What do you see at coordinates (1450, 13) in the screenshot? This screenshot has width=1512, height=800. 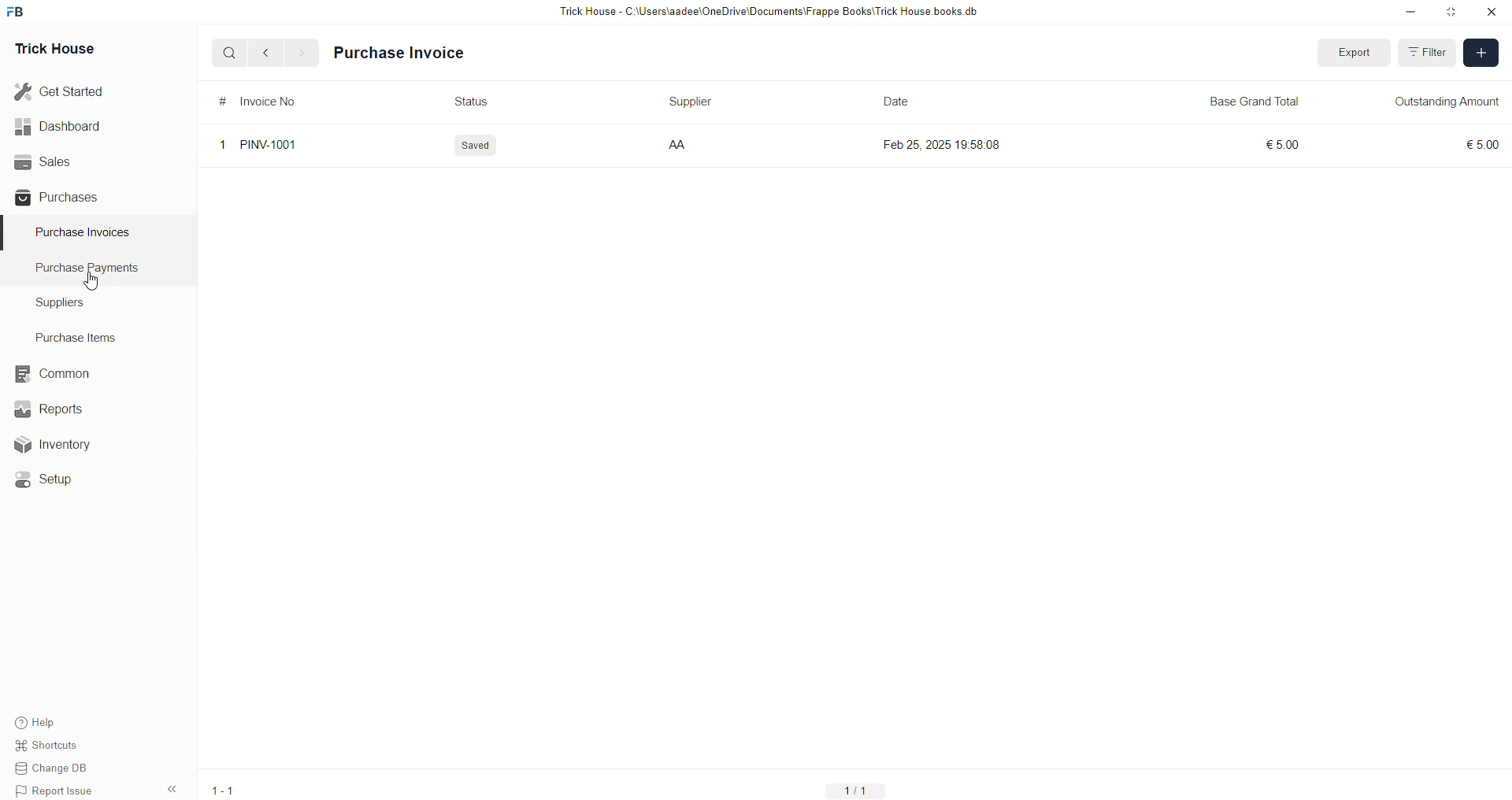 I see `minimise window` at bounding box center [1450, 13].